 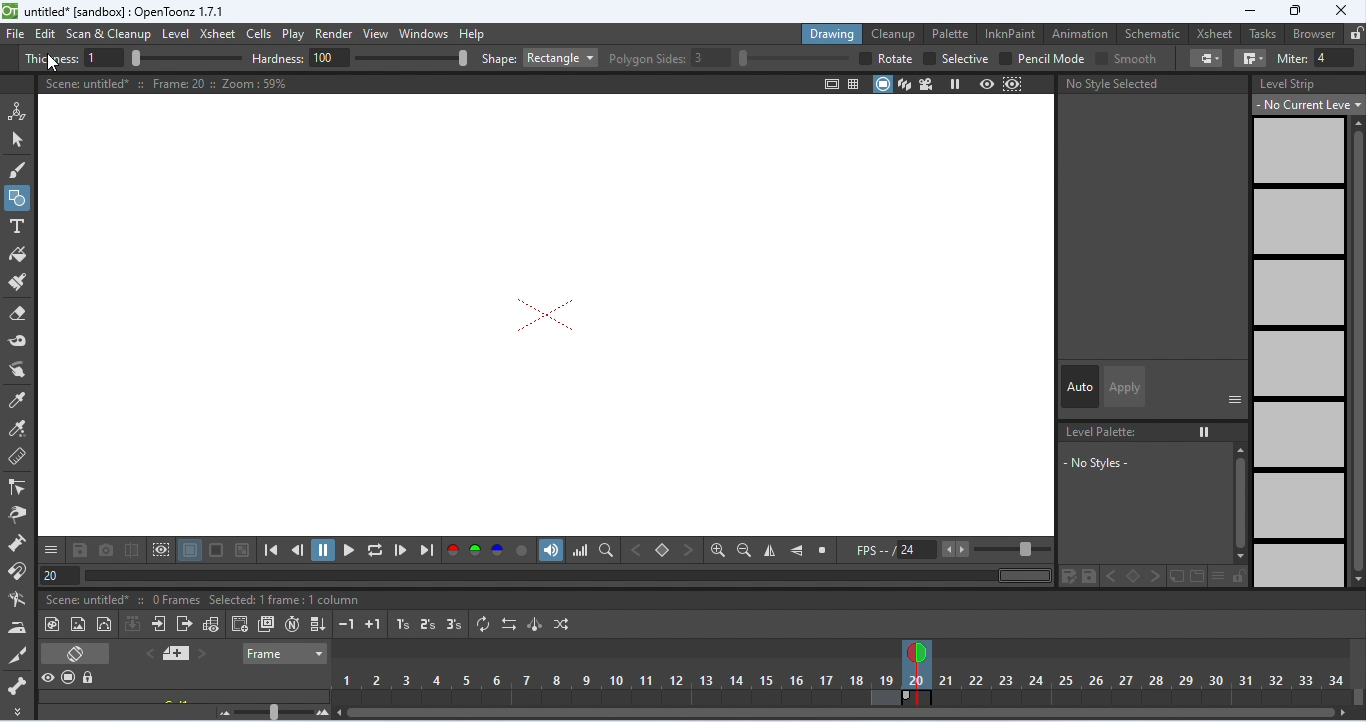 I want to click on no frames, so click(x=1301, y=353).